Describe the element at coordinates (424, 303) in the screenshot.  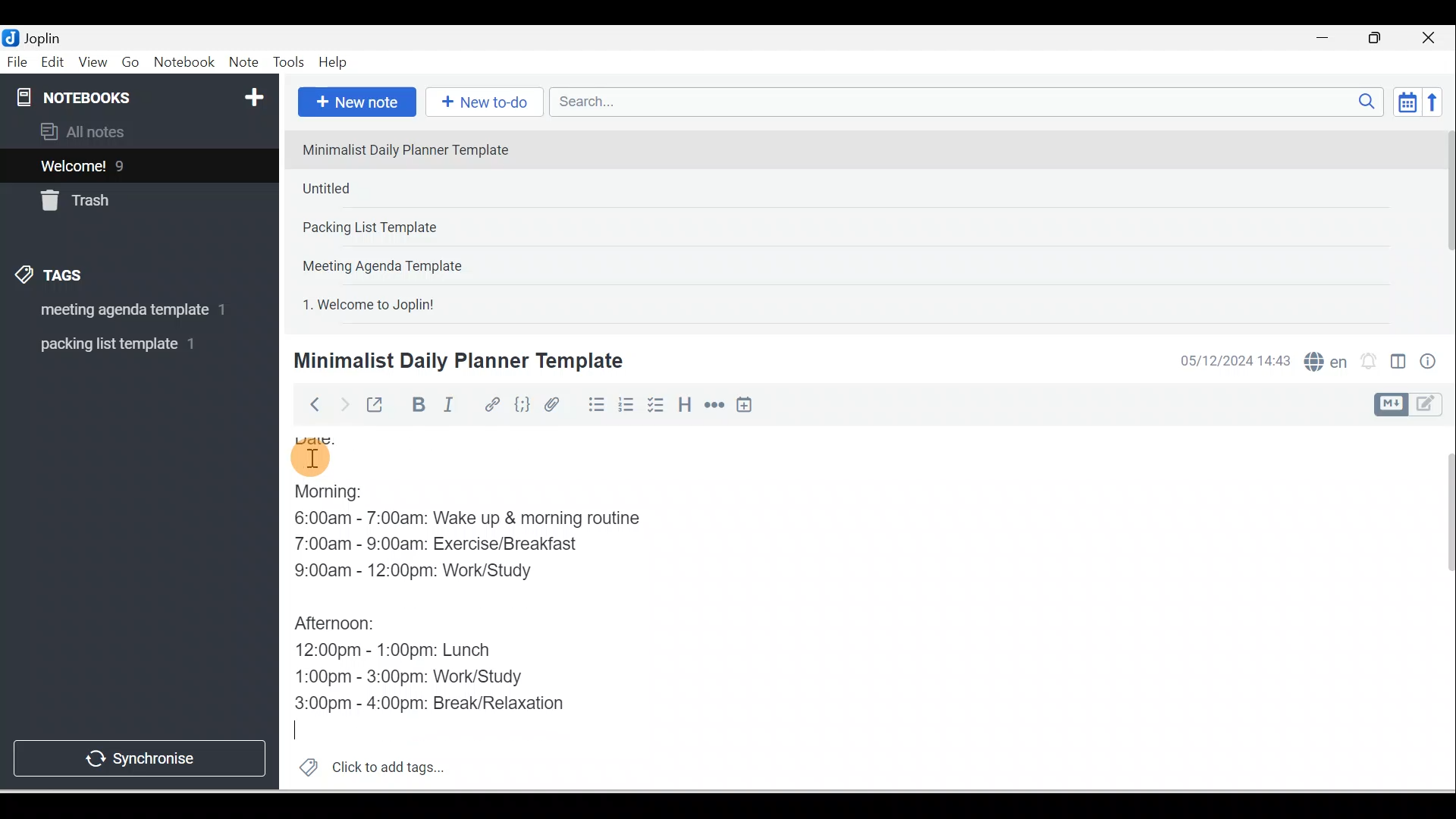
I see `Note 5` at that location.